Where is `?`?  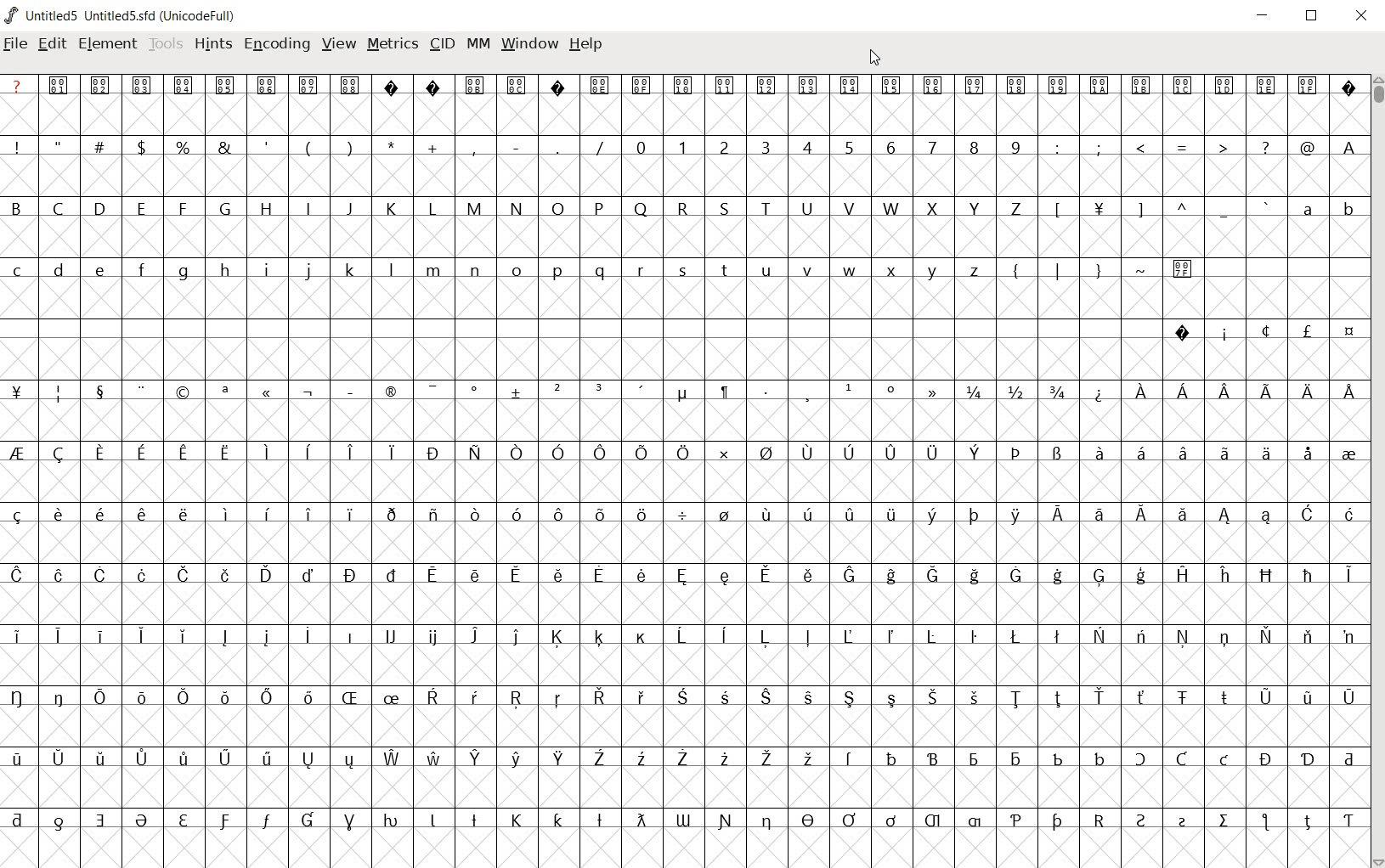
? is located at coordinates (18, 85).